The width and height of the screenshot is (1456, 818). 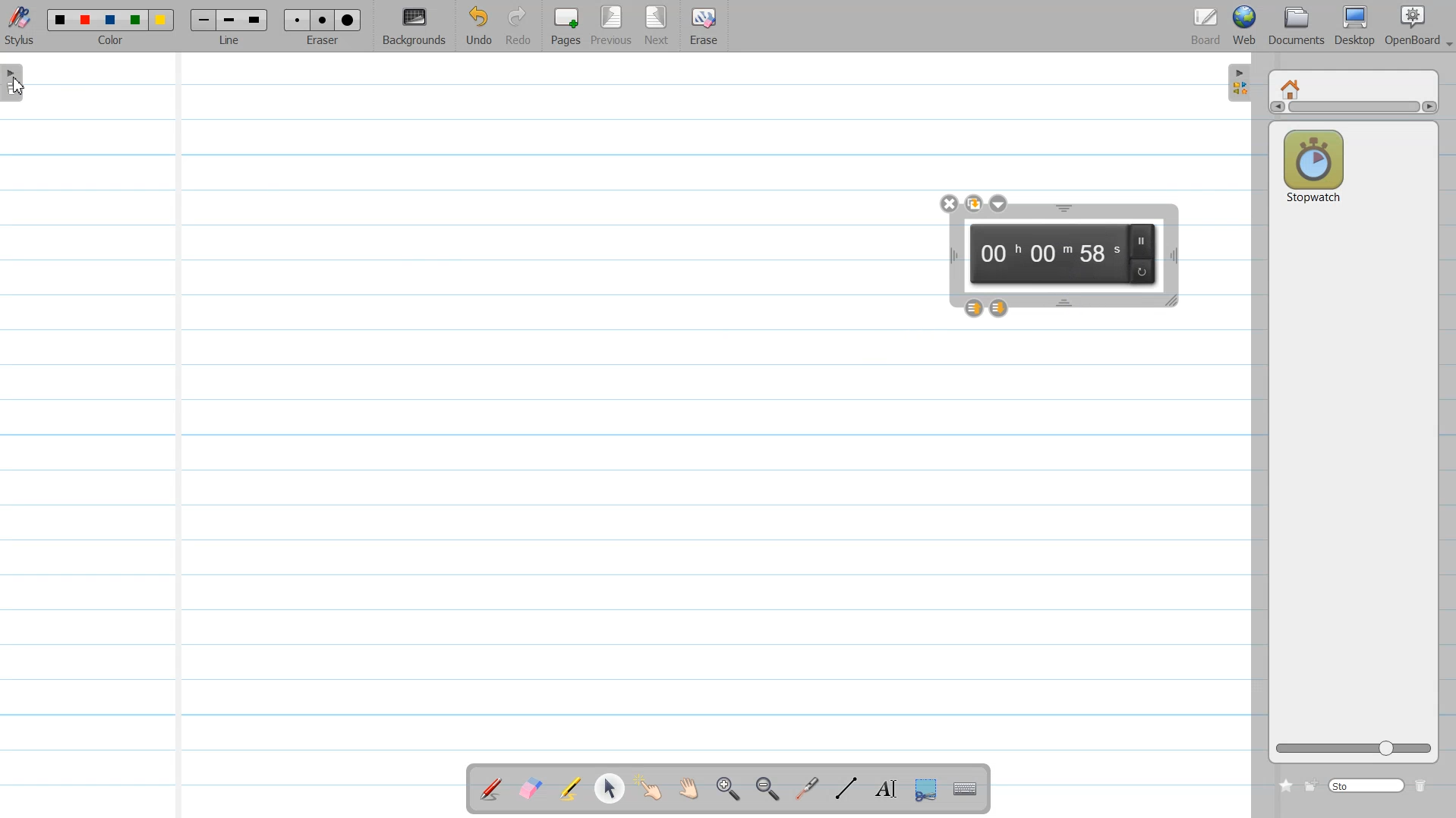 What do you see at coordinates (729, 789) in the screenshot?
I see `Zoom in` at bounding box center [729, 789].